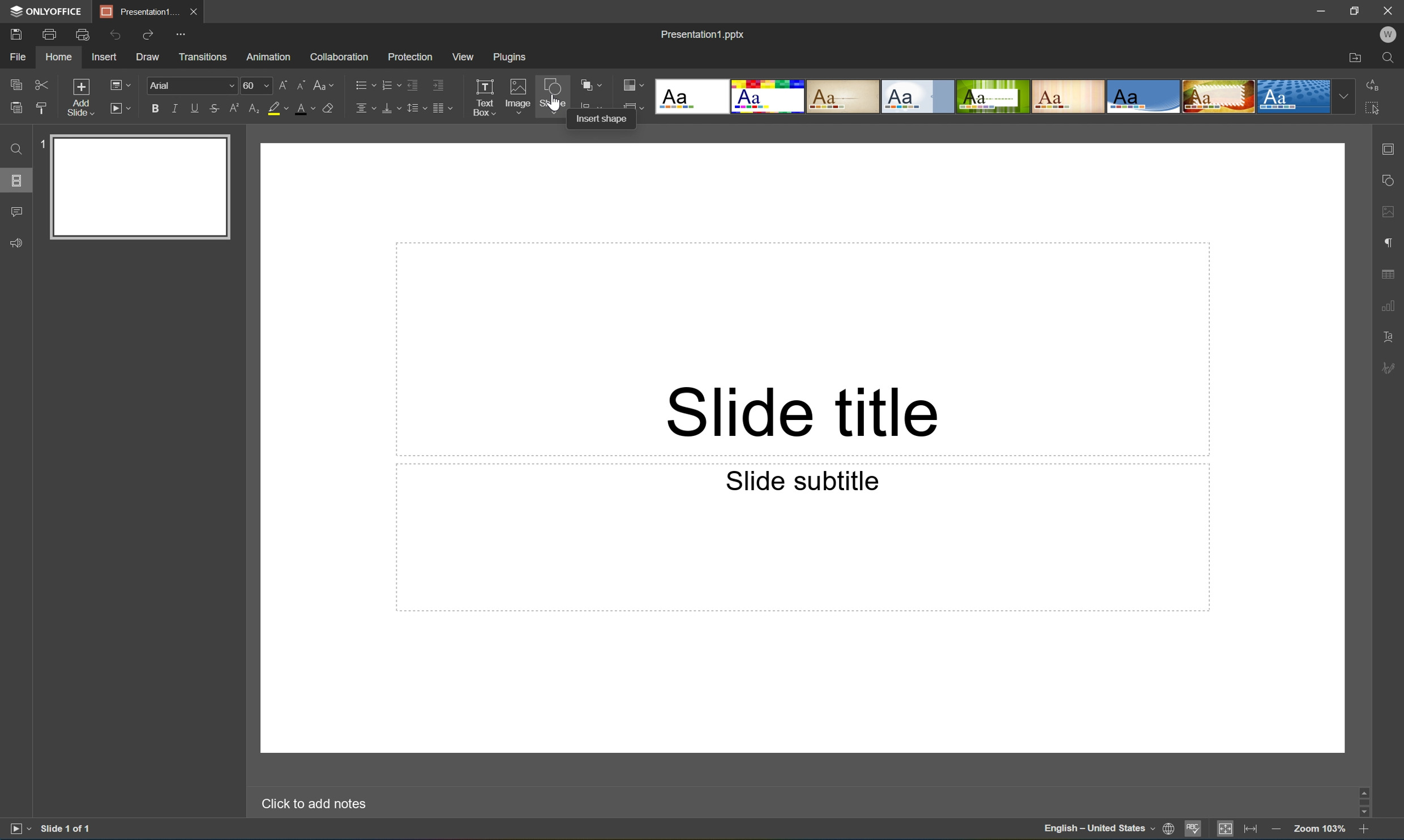  What do you see at coordinates (50, 34) in the screenshot?
I see `Print a file` at bounding box center [50, 34].